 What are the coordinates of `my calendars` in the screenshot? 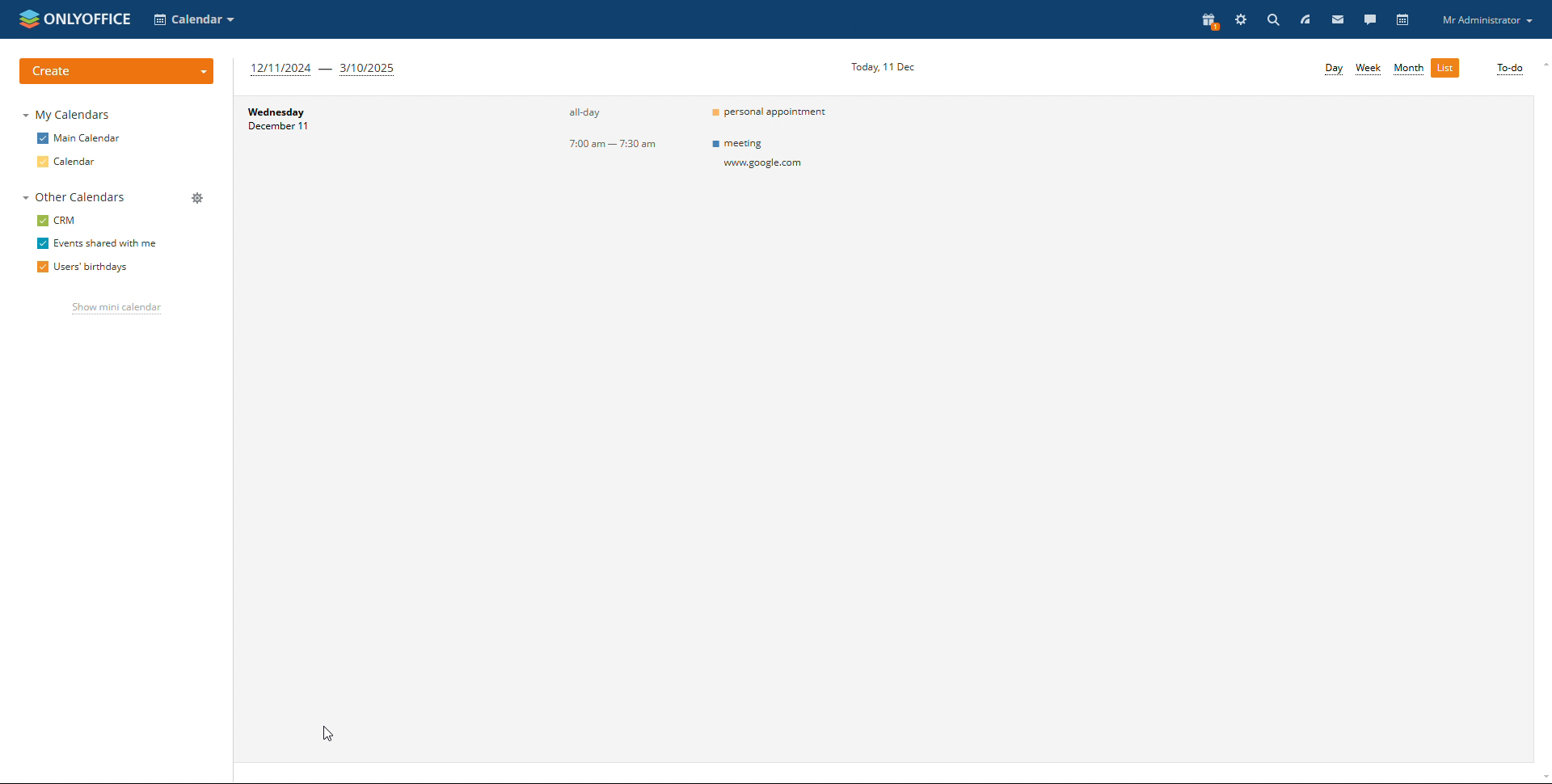 It's located at (68, 115).